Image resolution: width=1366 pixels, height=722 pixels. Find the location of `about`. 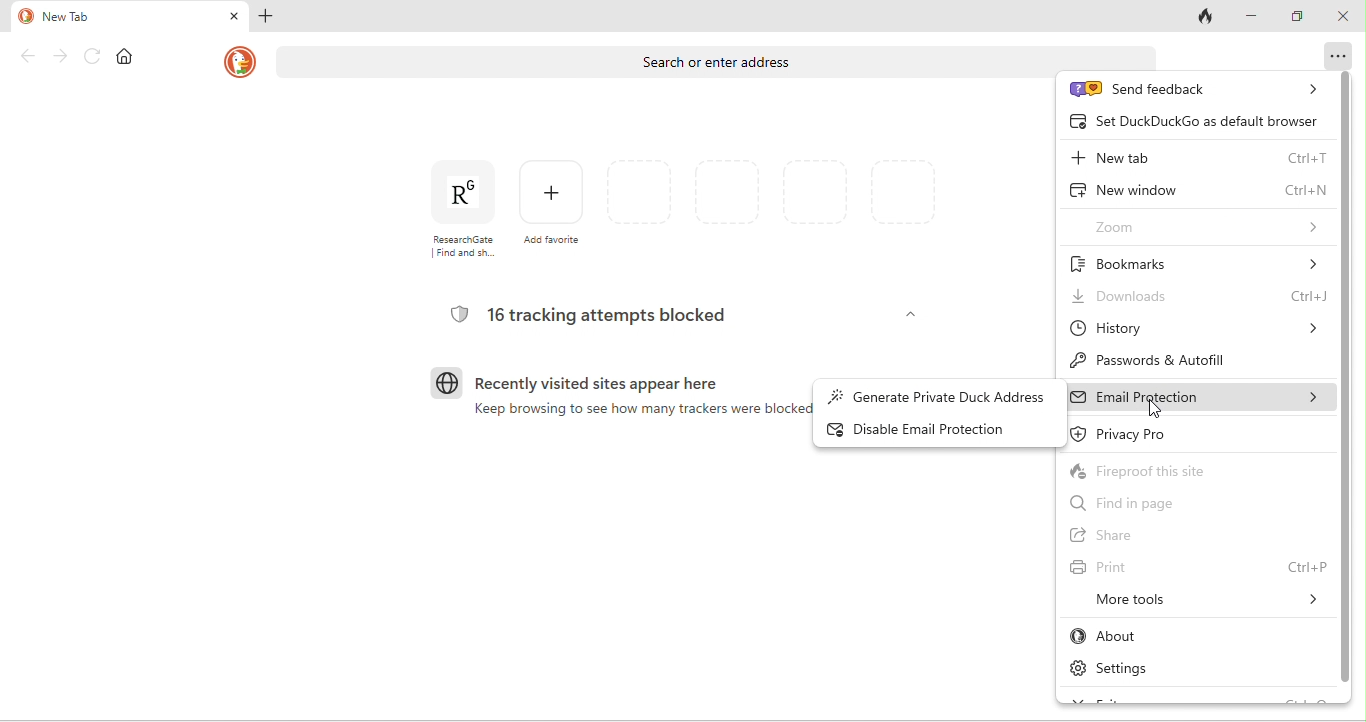

about is located at coordinates (1142, 636).